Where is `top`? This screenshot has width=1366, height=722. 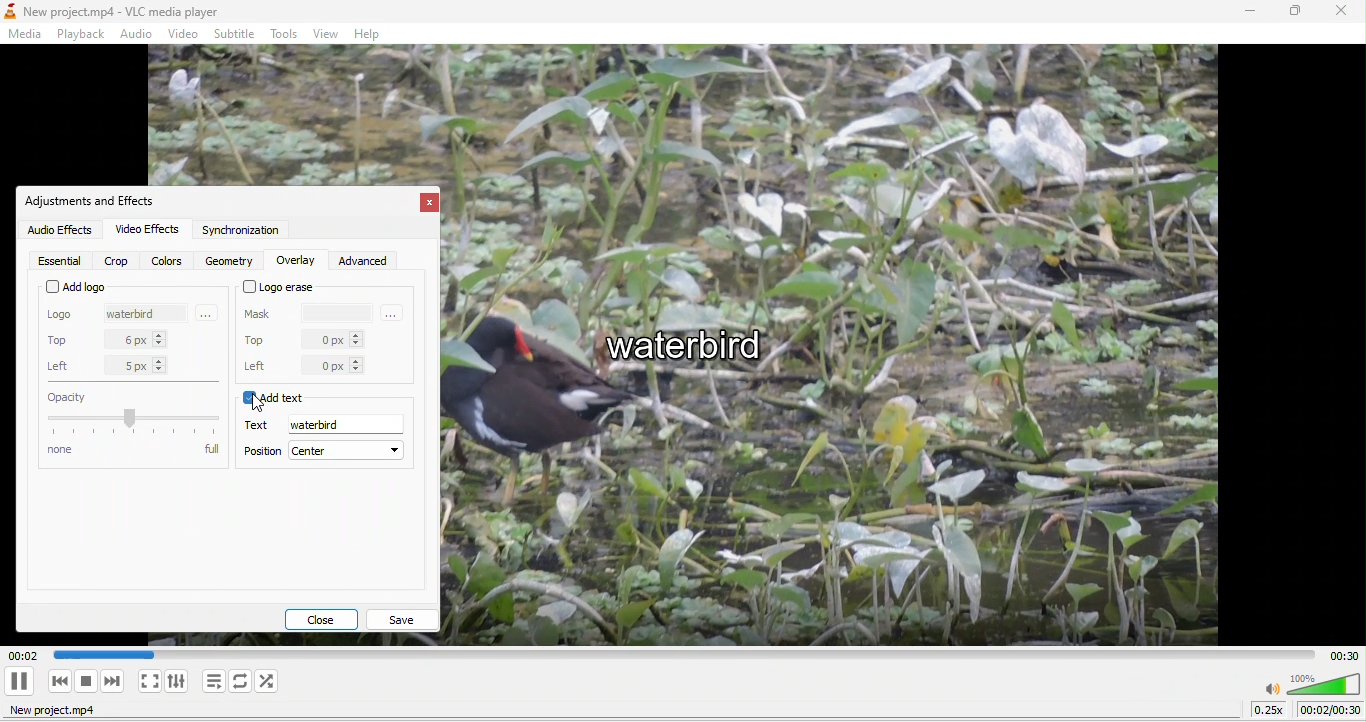 top is located at coordinates (63, 340).